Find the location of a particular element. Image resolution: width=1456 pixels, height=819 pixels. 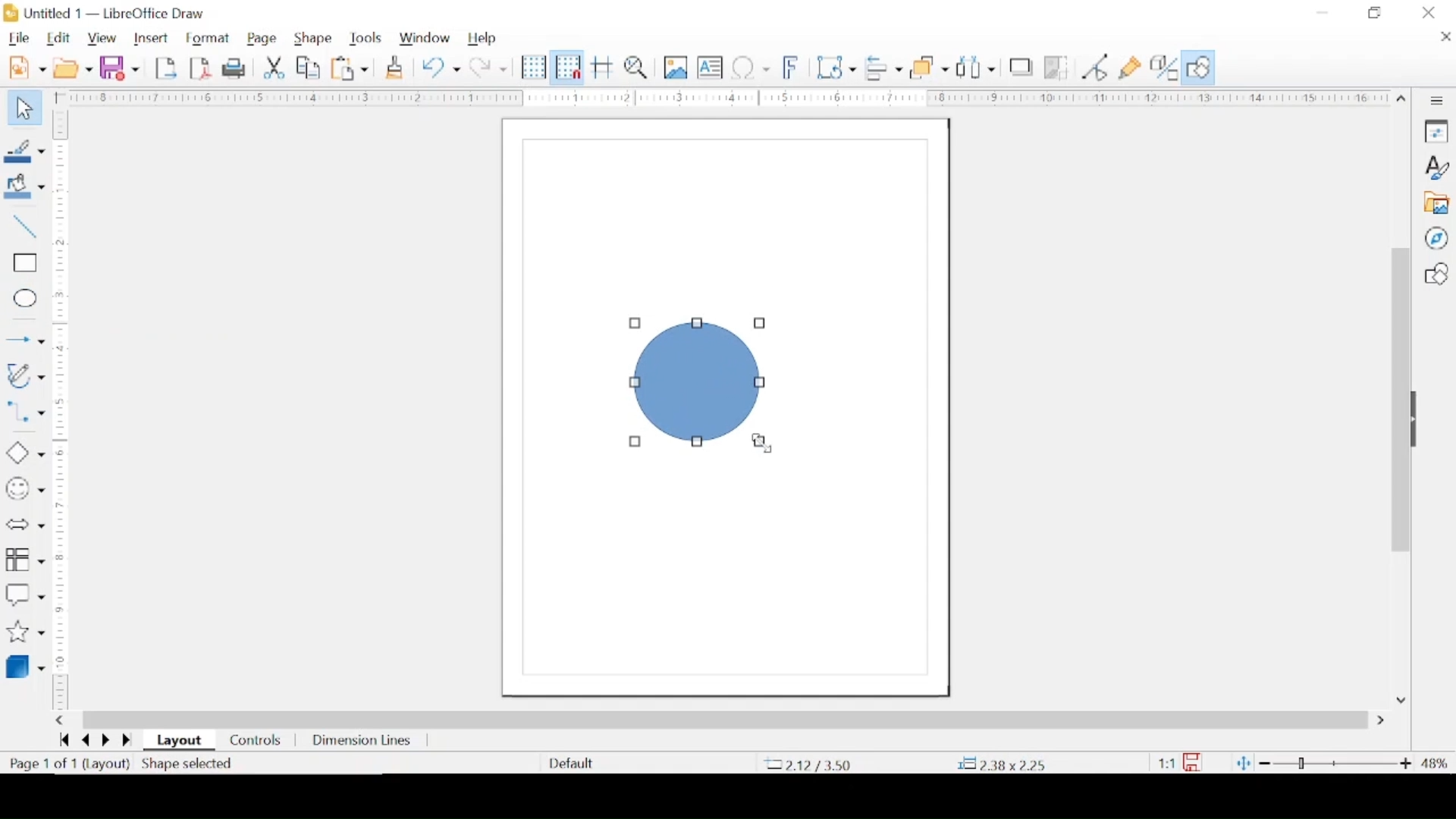

fill color is located at coordinates (27, 187).